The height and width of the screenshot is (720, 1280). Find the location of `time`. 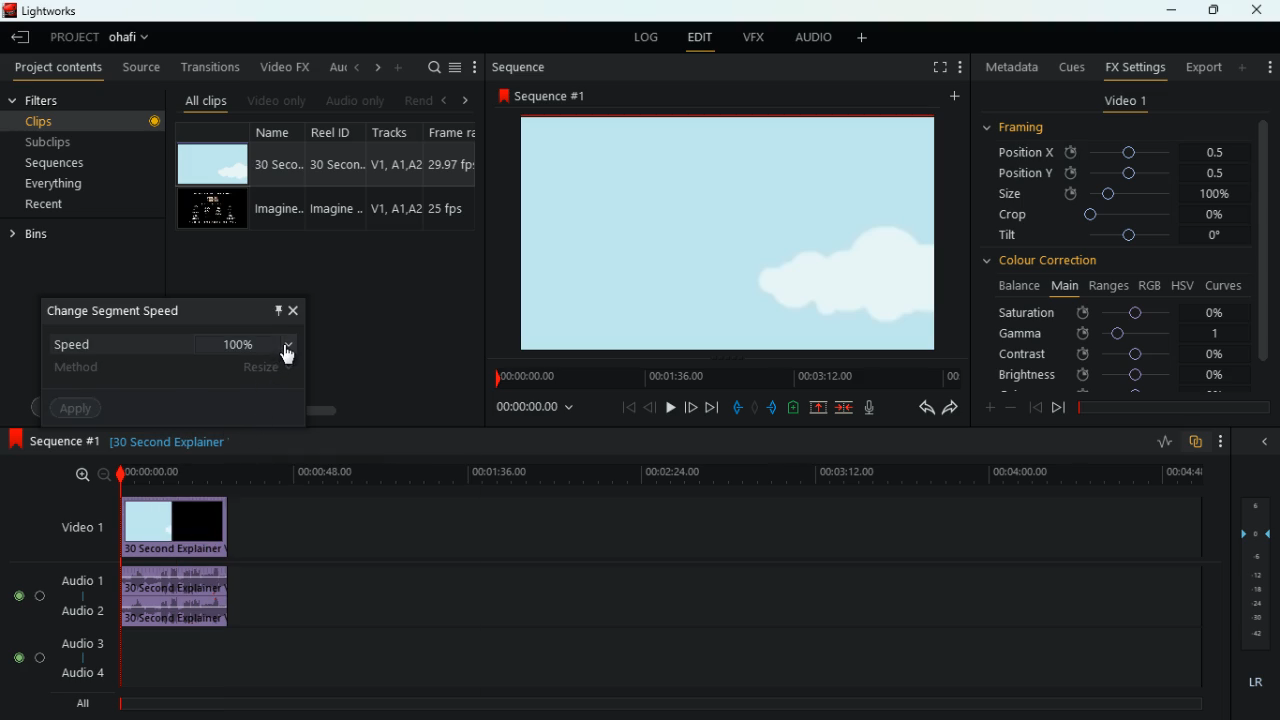

time is located at coordinates (659, 475).